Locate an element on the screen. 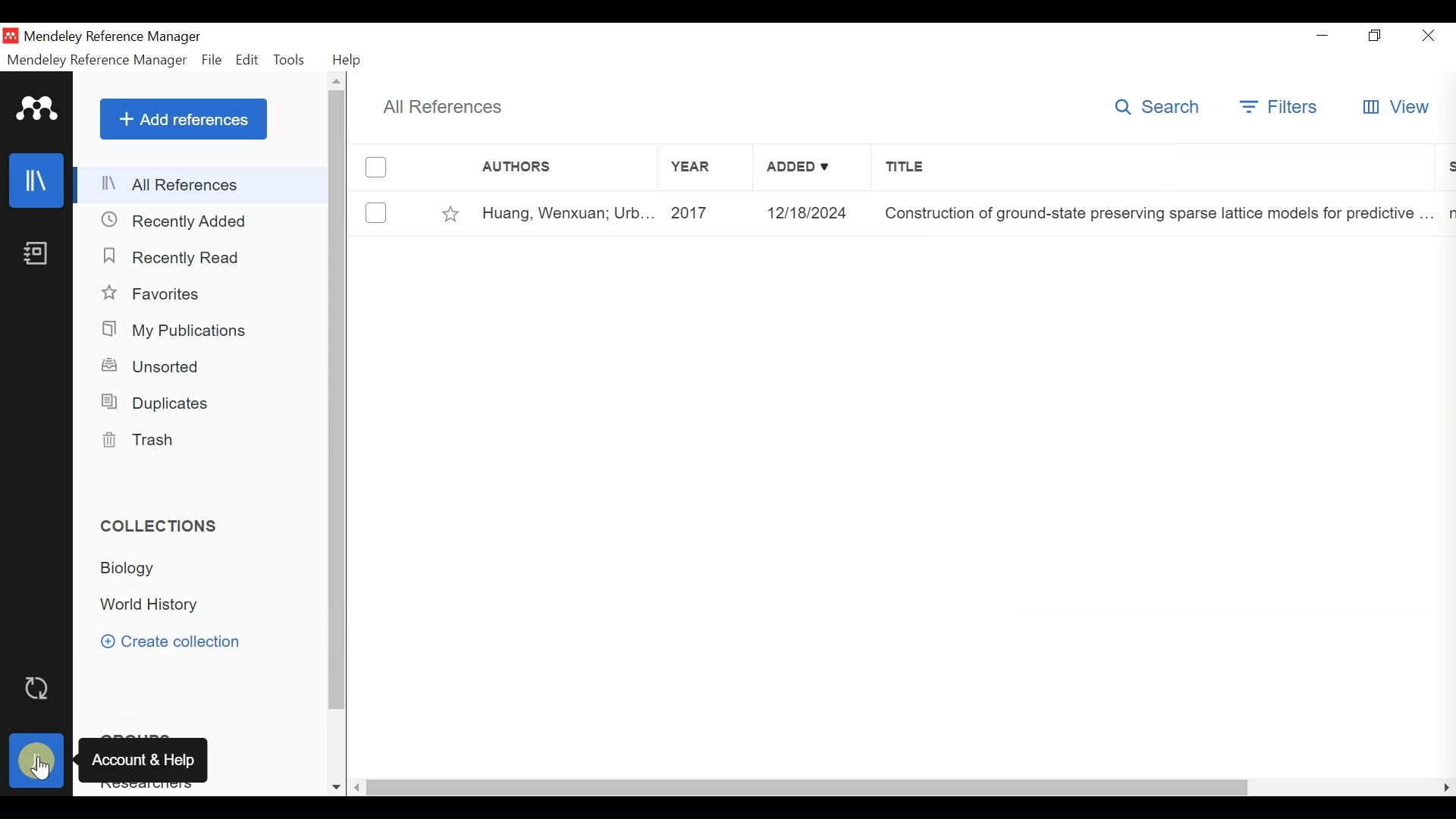  Biology is located at coordinates (131, 569).